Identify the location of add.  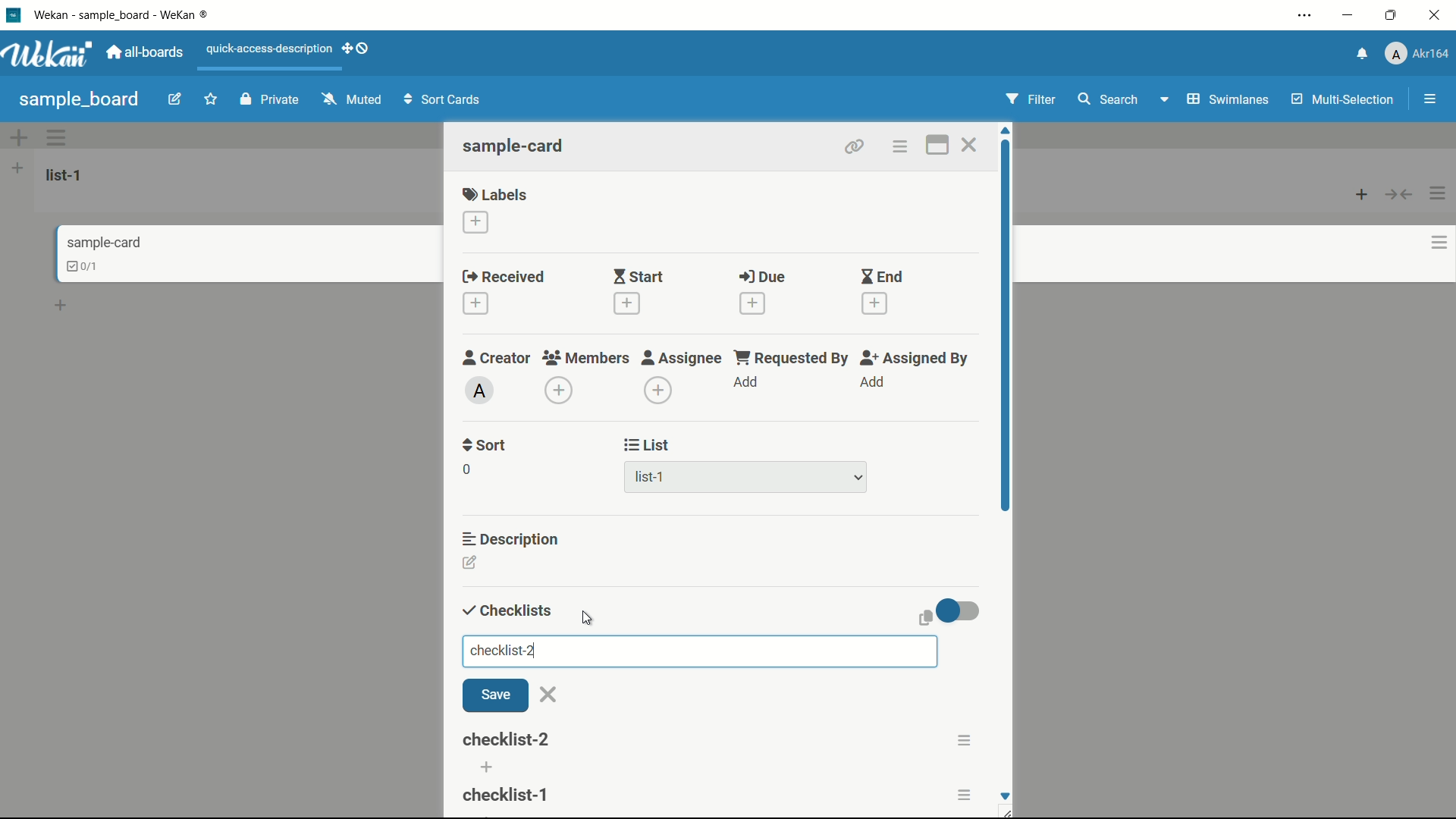
(747, 383).